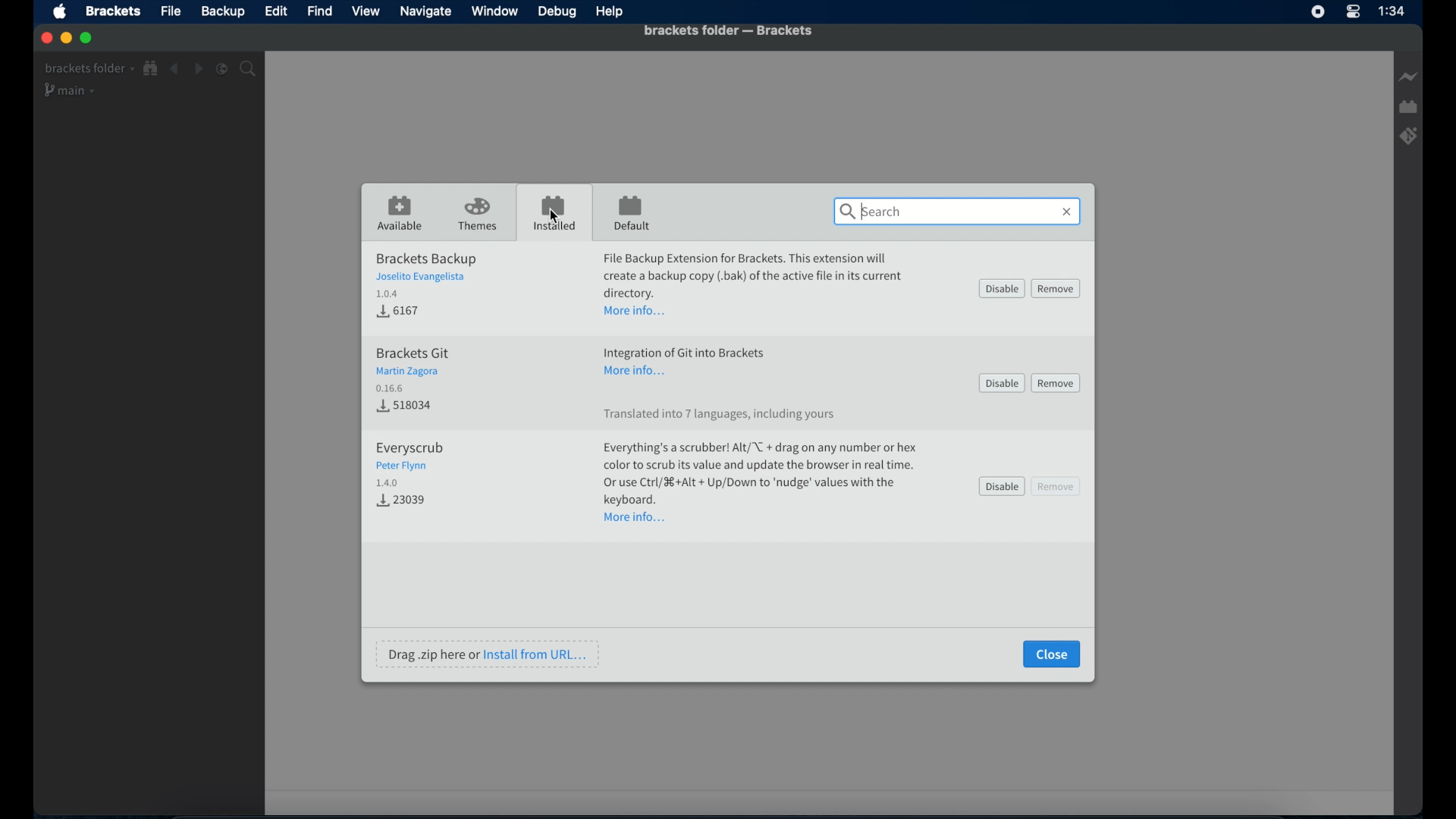 Image resolution: width=1456 pixels, height=819 pixels. I want to click on Brackets git extension, so click(1410, 136).